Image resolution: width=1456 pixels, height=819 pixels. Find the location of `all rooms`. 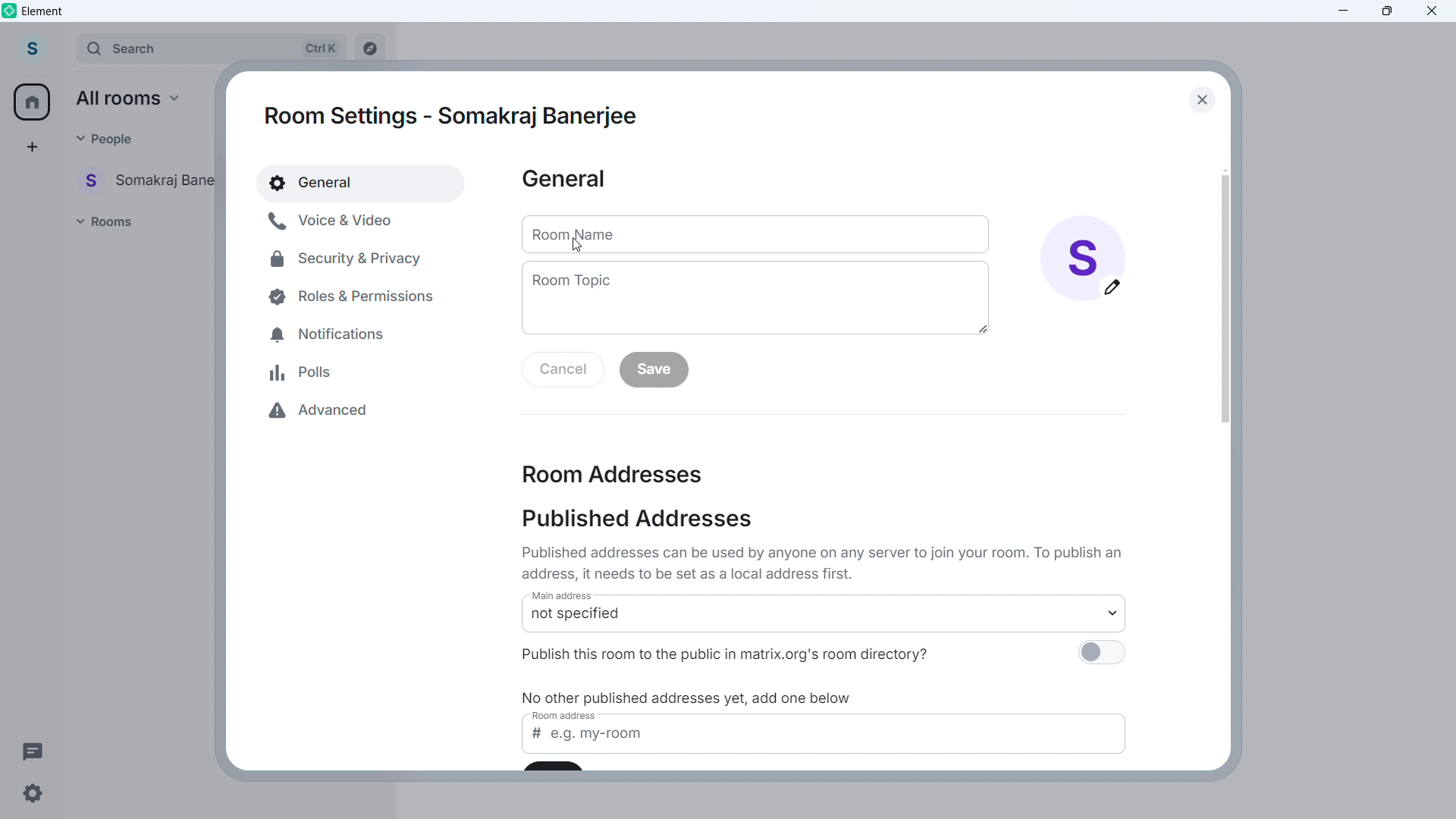

all rooms is located at coordinates (133, 98).